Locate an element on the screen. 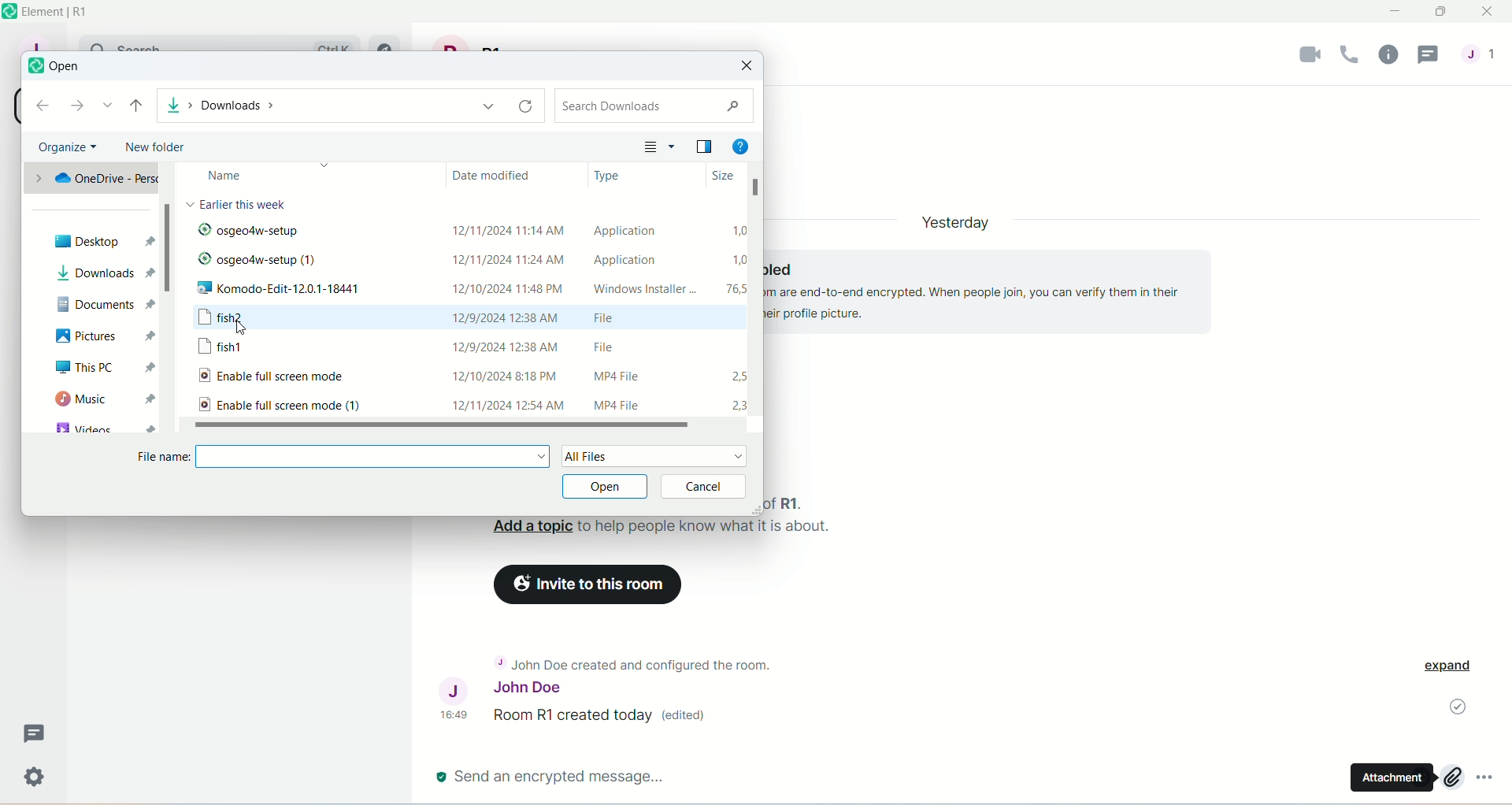 The image size is (1512, 805). music is located at coordinates (102, 402).